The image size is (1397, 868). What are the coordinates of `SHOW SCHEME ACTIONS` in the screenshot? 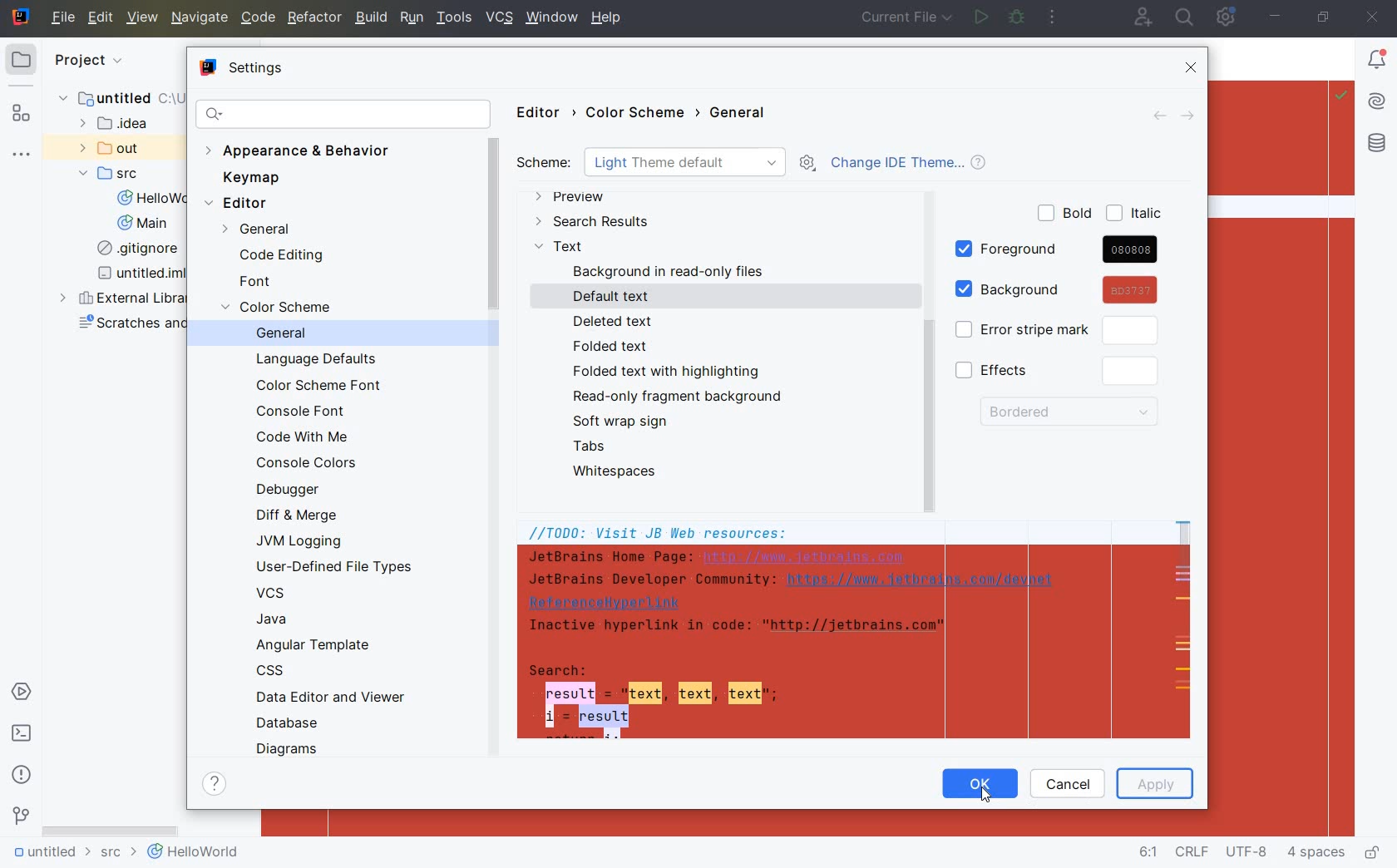 It's located at (807, 164).